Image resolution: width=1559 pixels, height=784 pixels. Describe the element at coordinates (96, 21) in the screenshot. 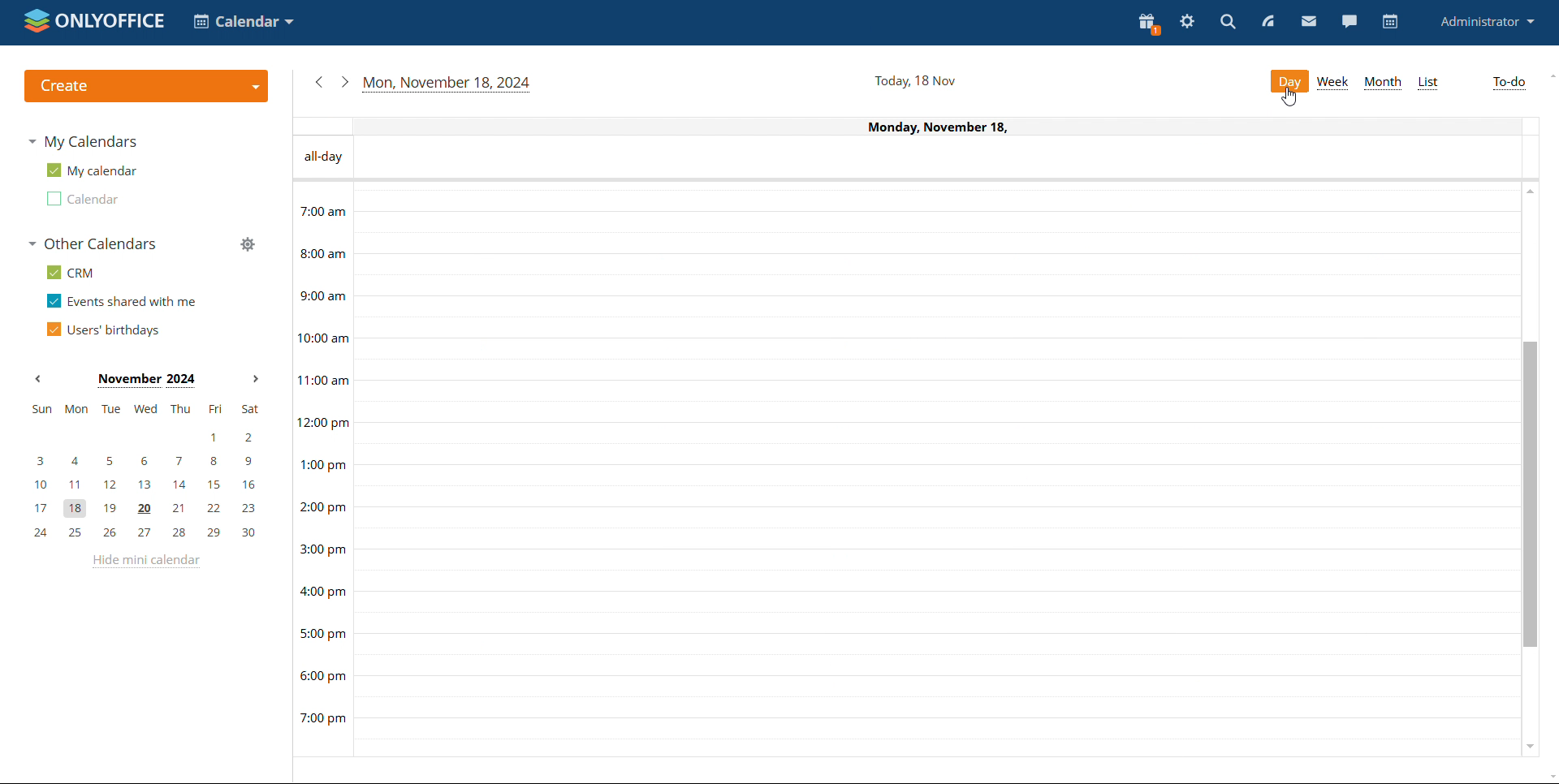

I see `logo` at that location.